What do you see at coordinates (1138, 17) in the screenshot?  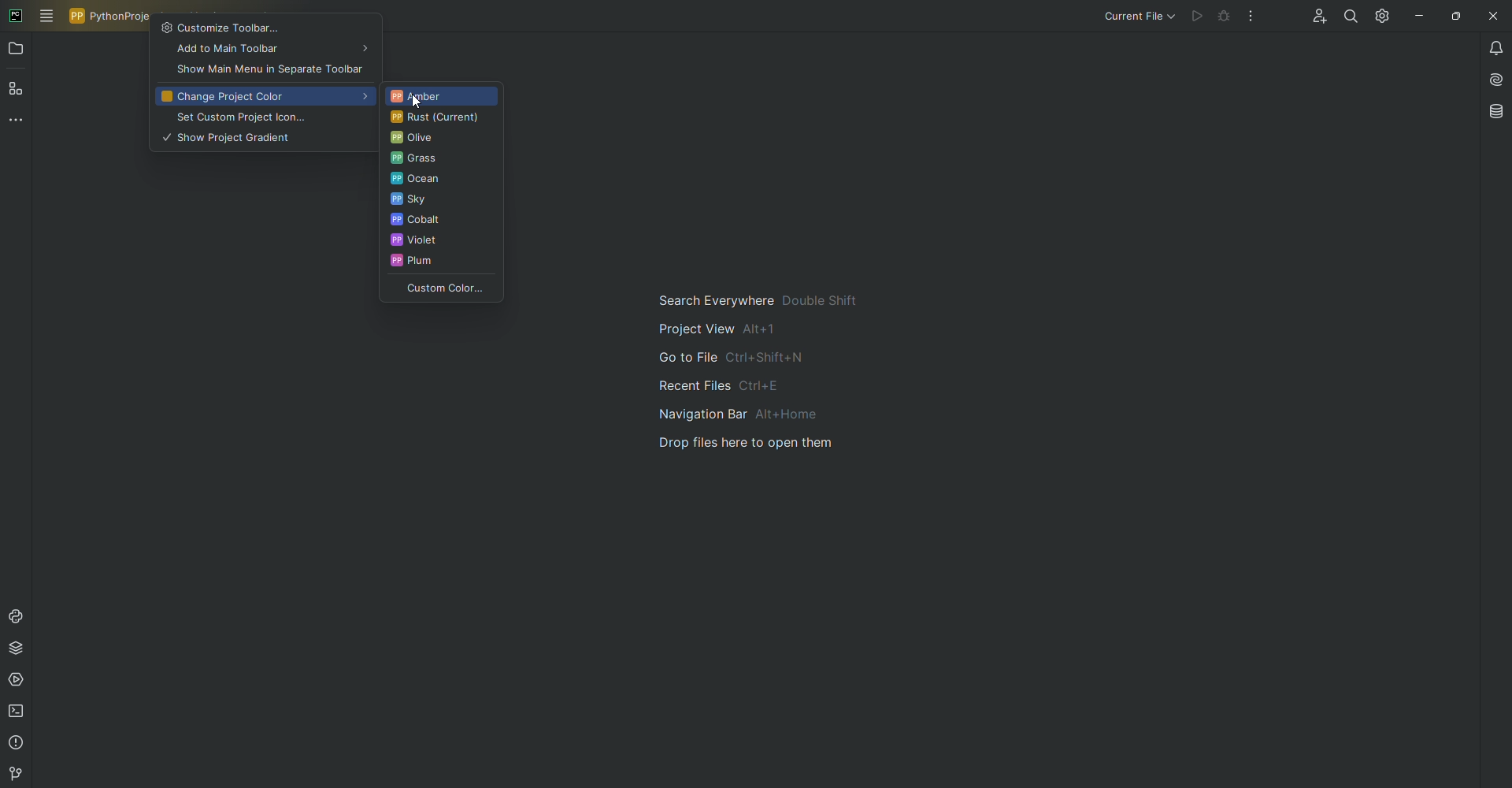 I see `Current file` at bounding box center [1138, 17].